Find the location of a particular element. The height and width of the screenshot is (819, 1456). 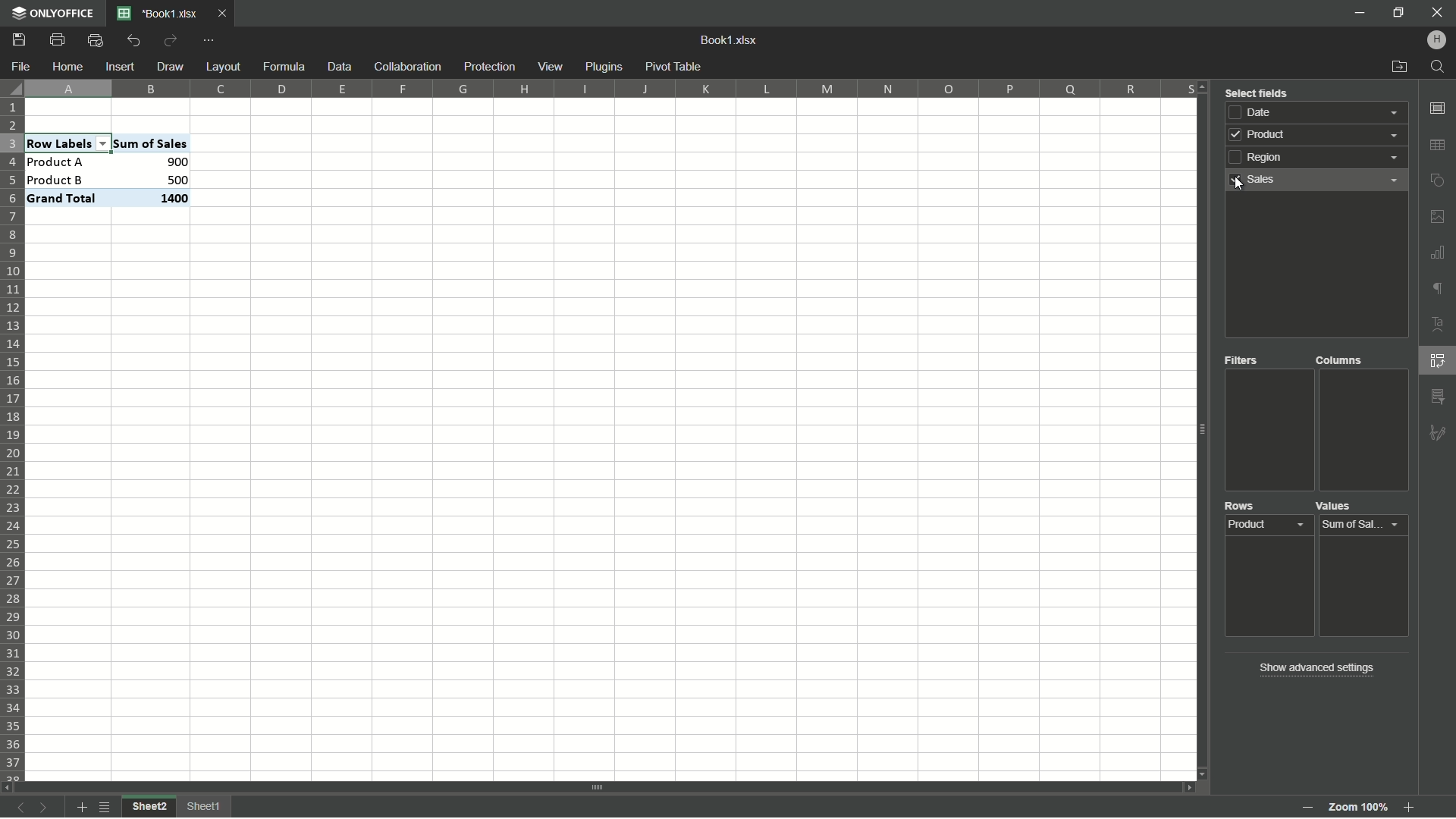

formatting is located at coordinates (1438, 431).